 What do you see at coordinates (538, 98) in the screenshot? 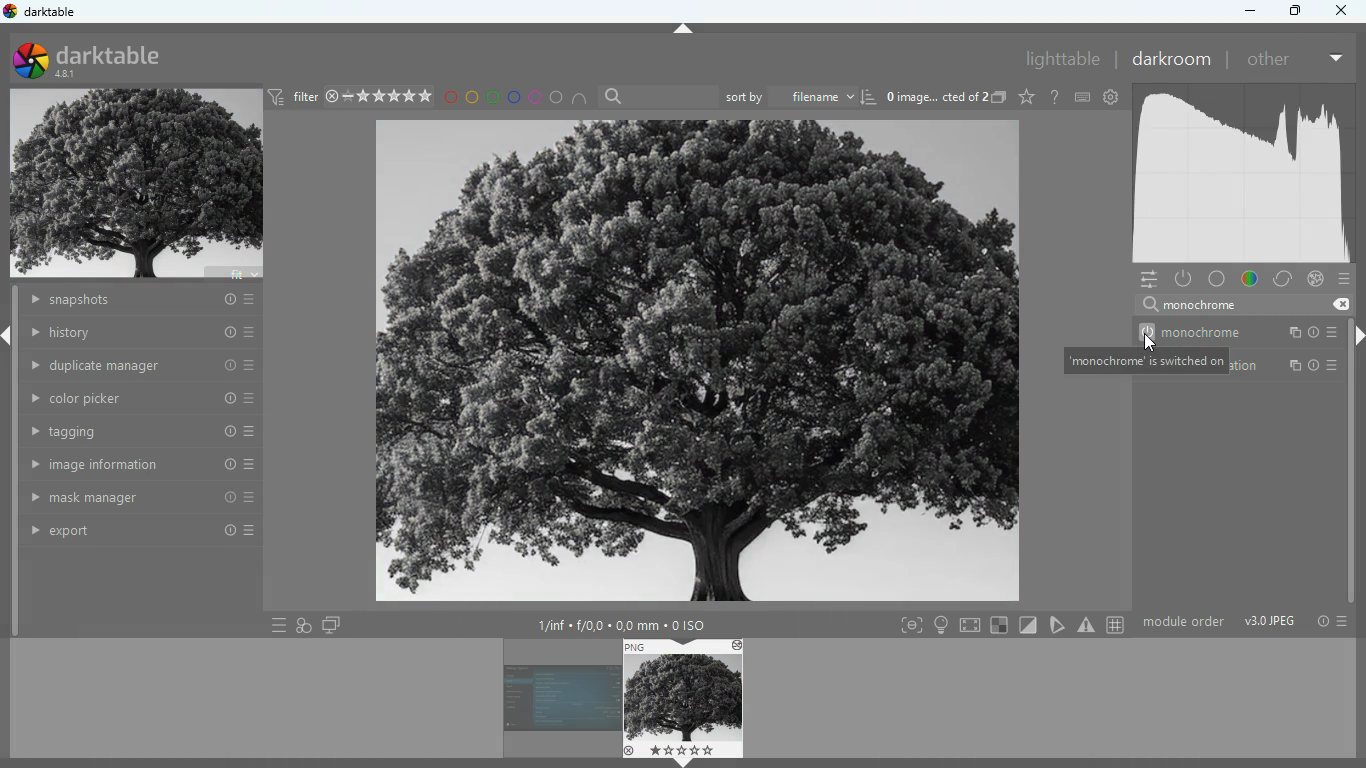
I see `pink` at bounding box center [538, 98].